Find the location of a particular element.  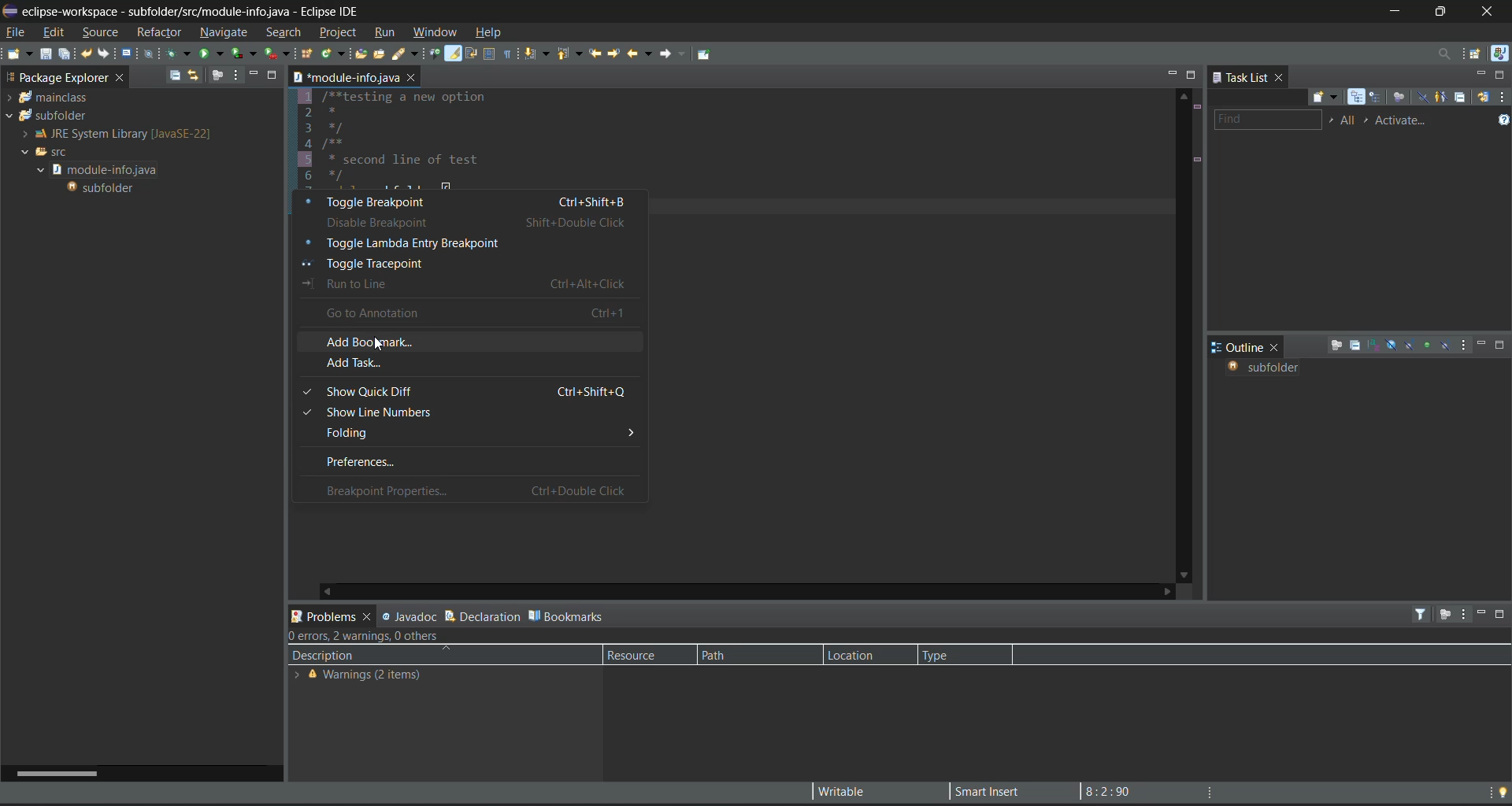

source is located at coordinates (102, 30).